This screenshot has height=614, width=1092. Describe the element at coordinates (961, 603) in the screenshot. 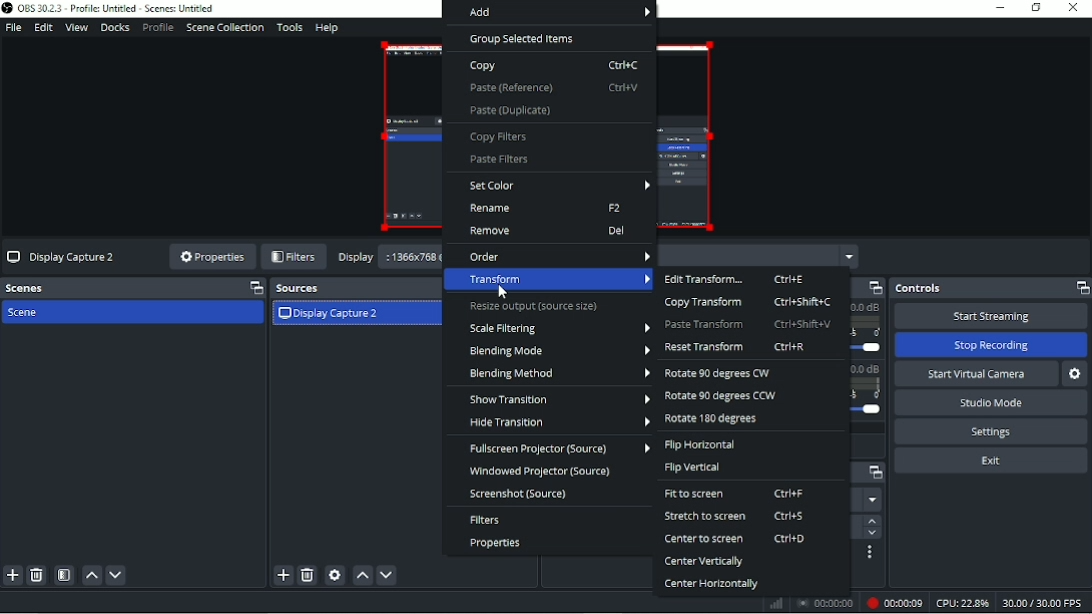

I see `CPU:22.6%` at that location.